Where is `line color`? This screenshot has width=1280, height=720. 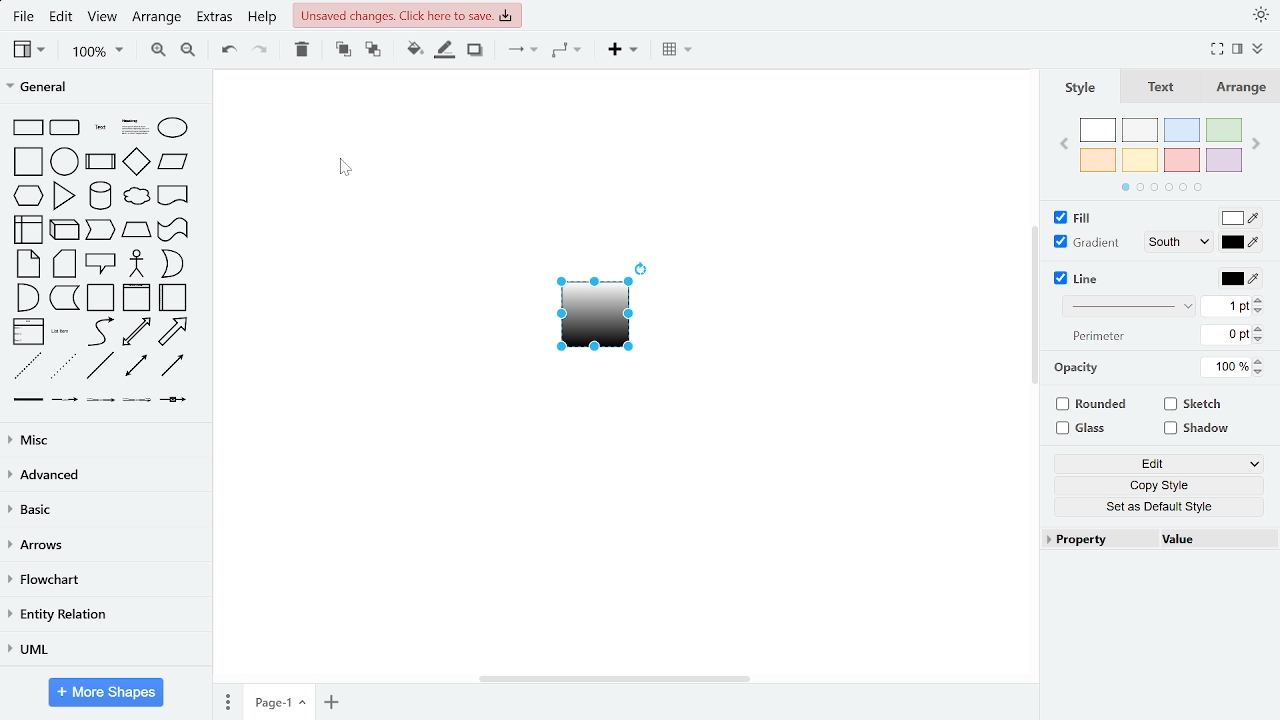 line color is located at coordinates (1239, 279).